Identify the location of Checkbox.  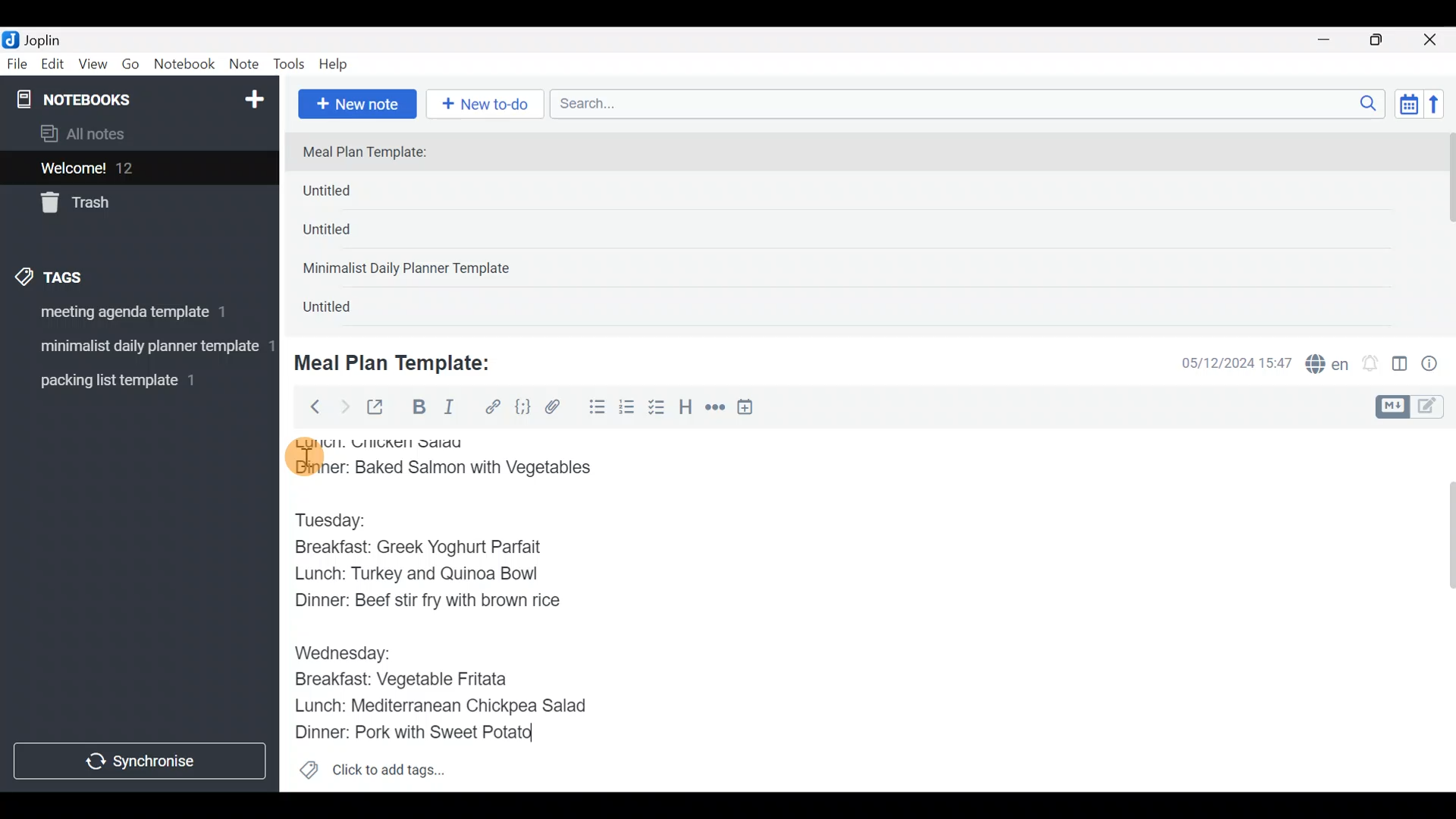
(658, 409).